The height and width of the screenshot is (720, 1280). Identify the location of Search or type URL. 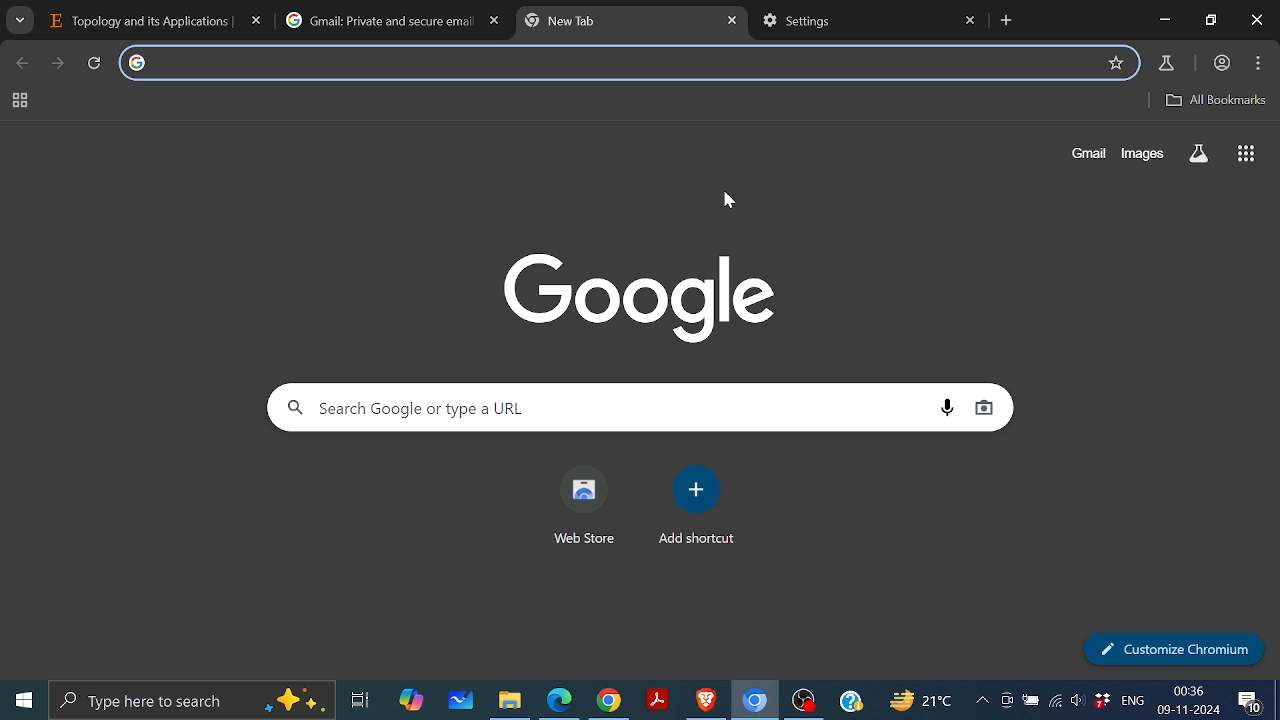
(624, 60).